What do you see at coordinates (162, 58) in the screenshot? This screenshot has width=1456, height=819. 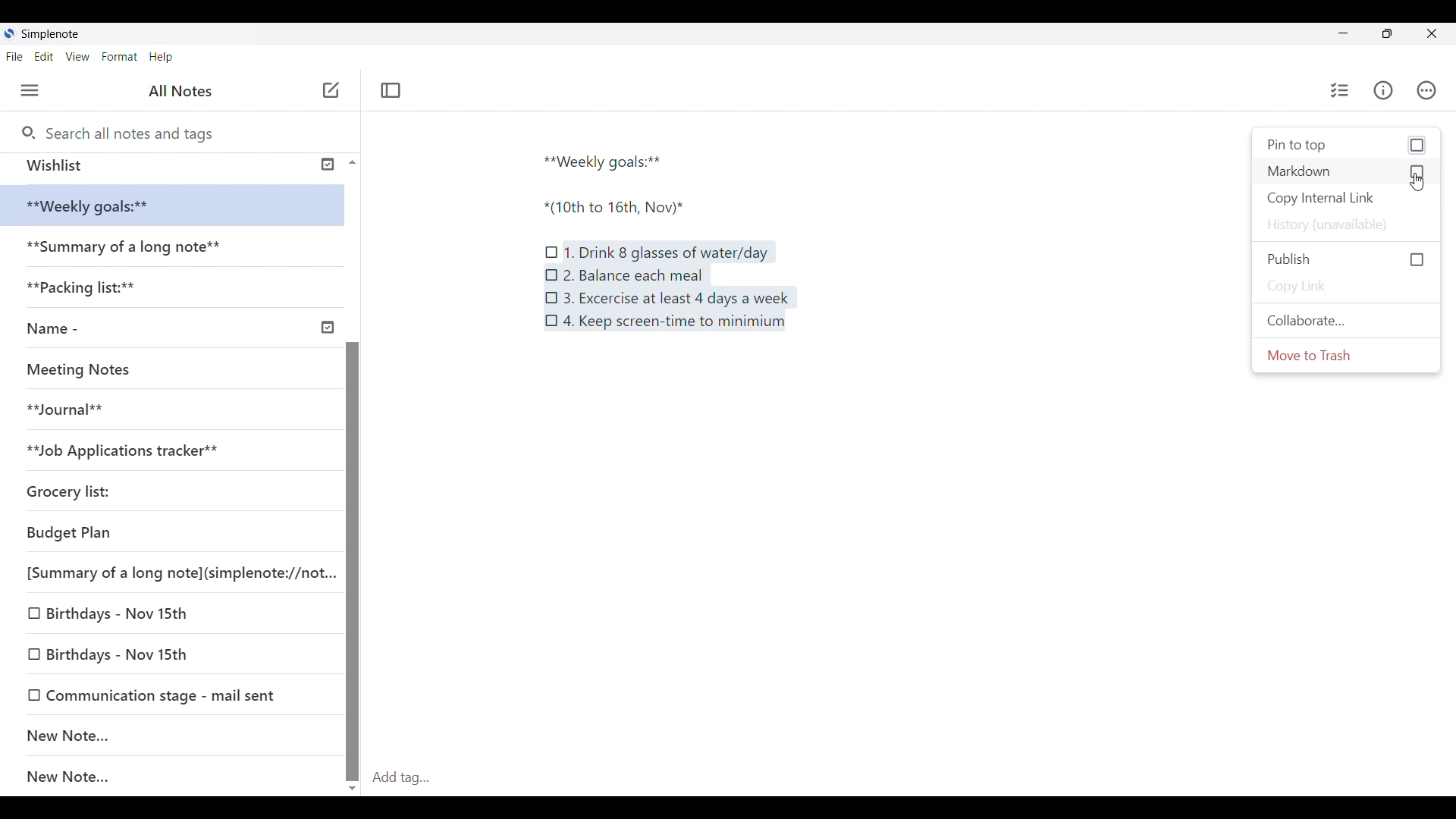 I see `Help` at bounding box center [162, 58].